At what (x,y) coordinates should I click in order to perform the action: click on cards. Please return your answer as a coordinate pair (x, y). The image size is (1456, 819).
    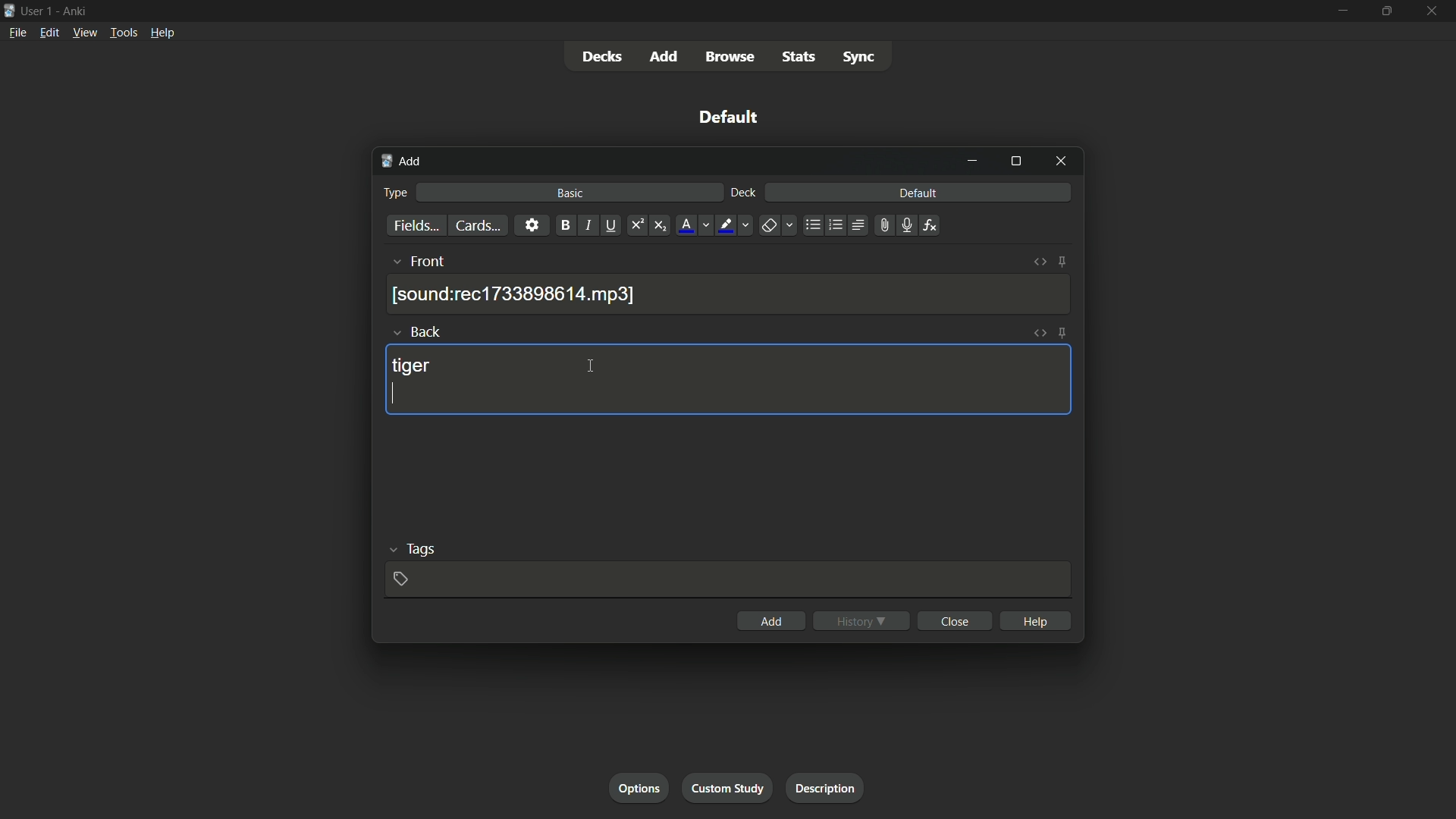
    Looking at the image, I should click on (475, 225).